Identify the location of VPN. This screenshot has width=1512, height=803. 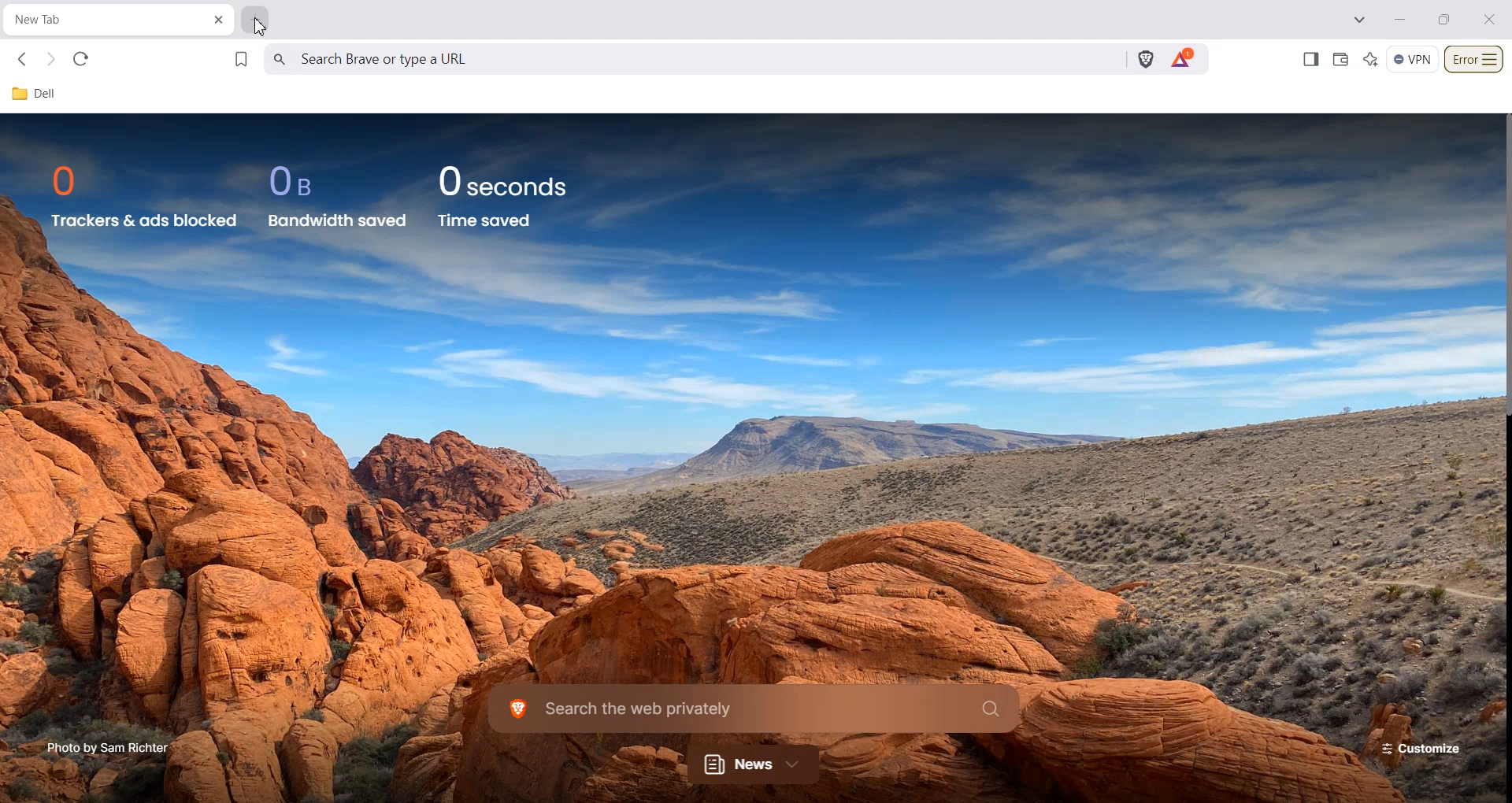
(1413, 60).